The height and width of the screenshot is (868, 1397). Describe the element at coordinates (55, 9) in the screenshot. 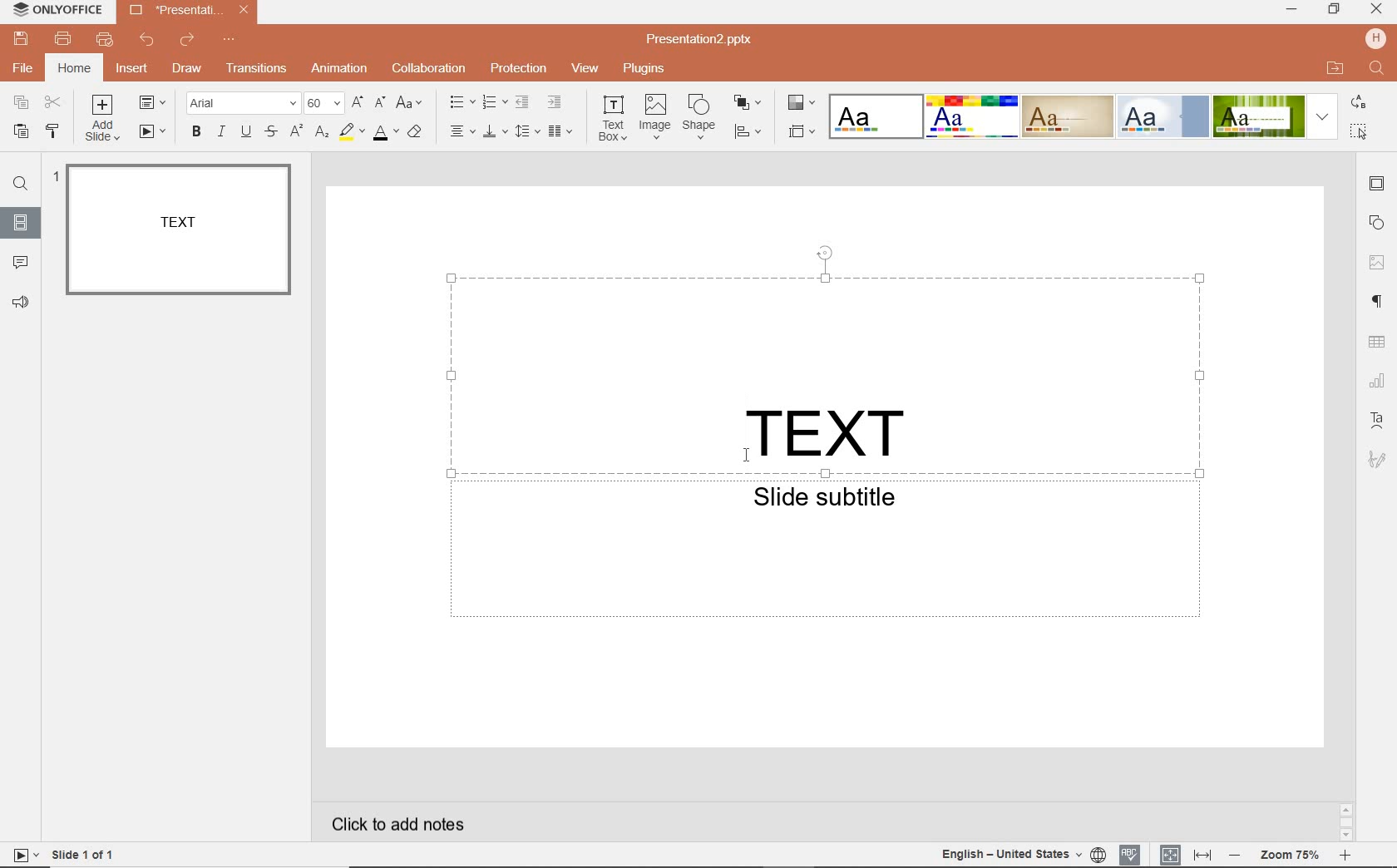

I see `SYSTEM NAME` at that location.